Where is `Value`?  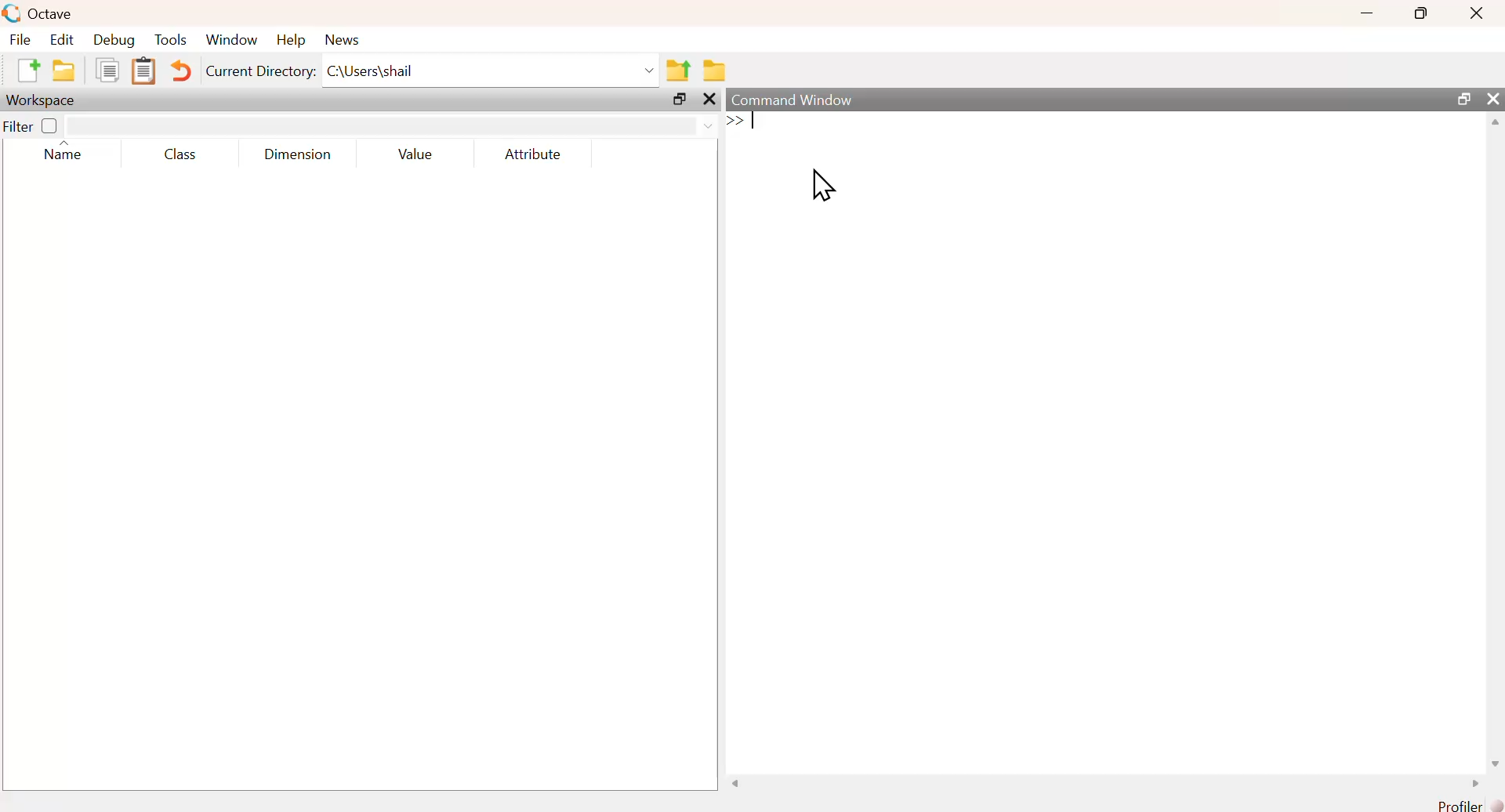 Value is located at coordinates (416, 154).